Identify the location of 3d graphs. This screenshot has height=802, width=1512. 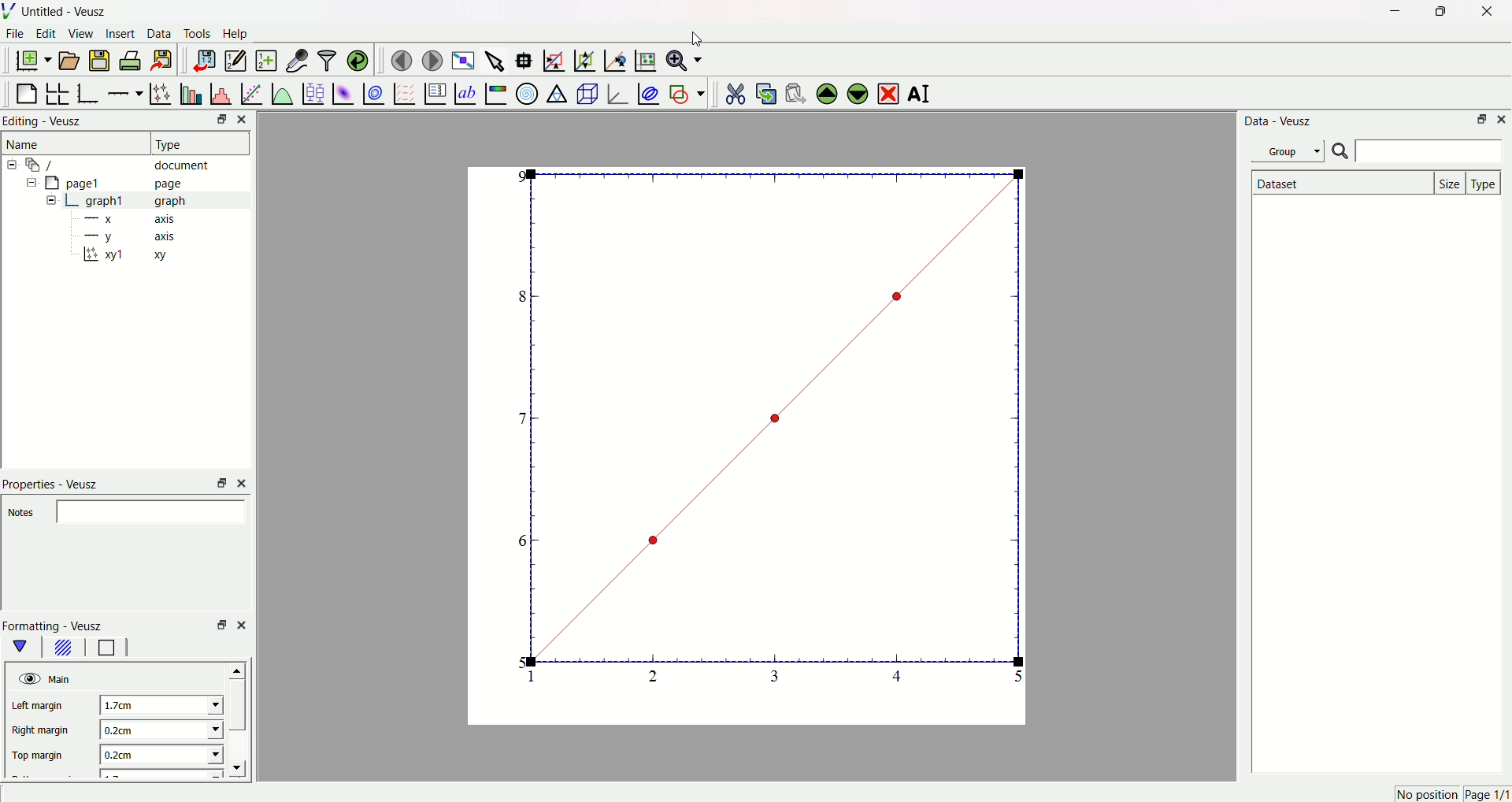
(617, 93).